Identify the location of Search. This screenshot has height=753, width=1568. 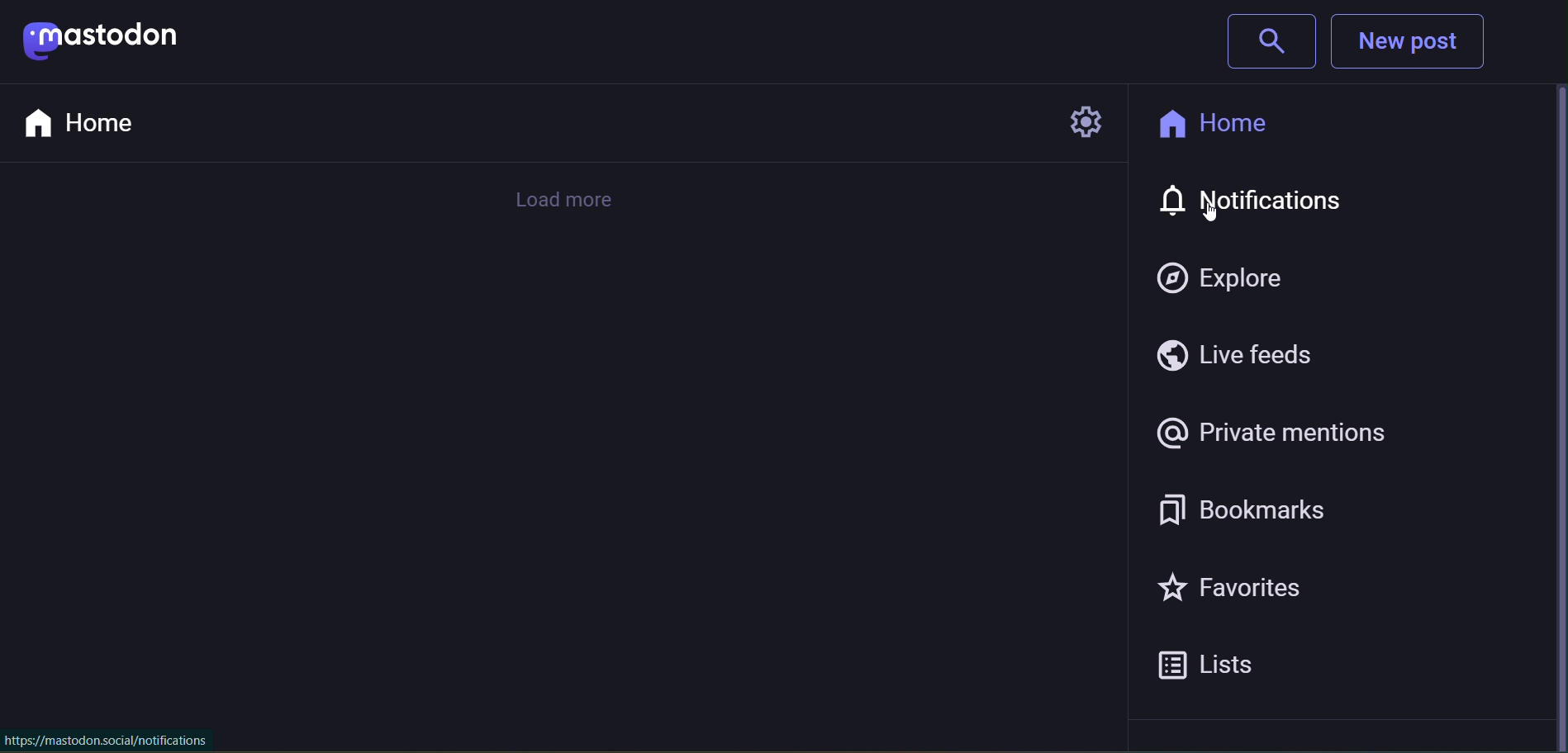
(1271, 40).